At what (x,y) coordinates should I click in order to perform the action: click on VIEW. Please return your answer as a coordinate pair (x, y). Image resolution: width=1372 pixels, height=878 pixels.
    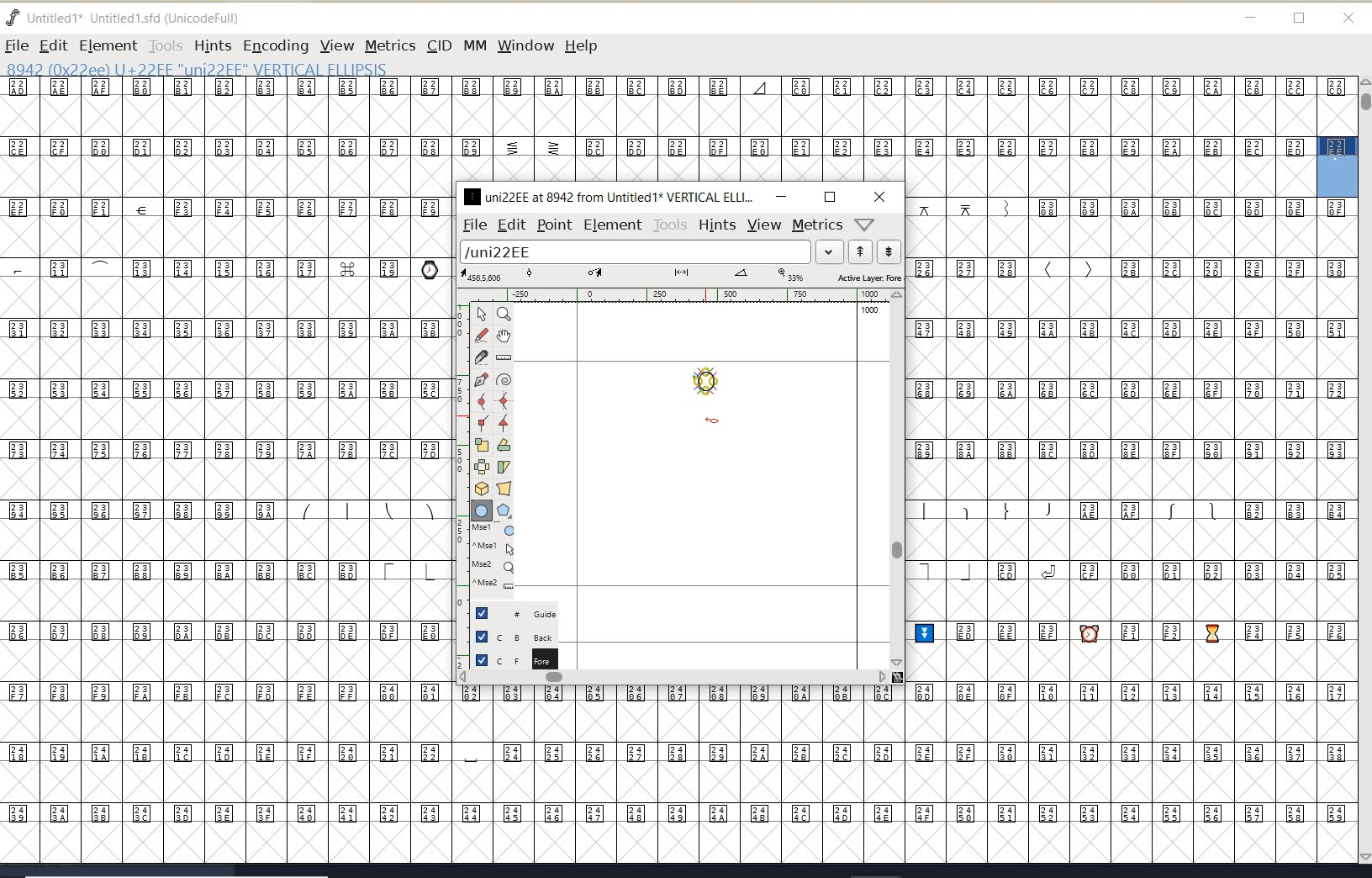
    Looking at the image, I should click on (335, 45).